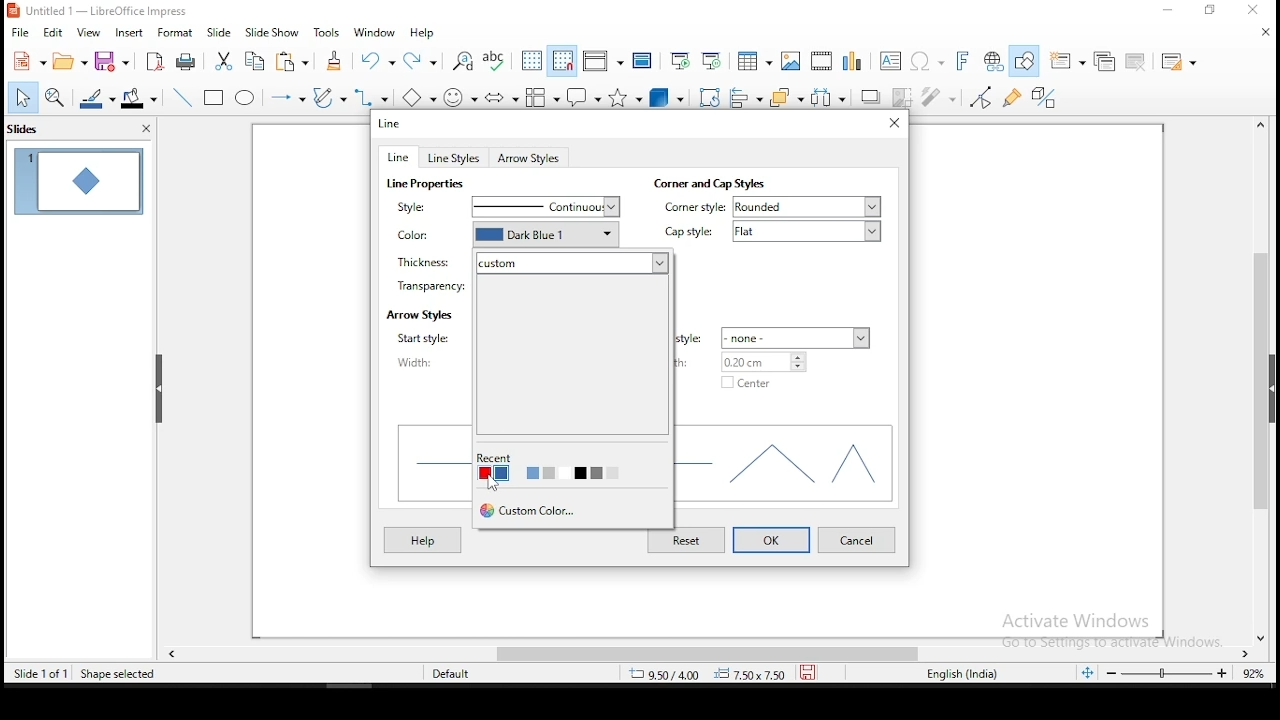  What do you see at coordinates (427, 363) in the screenshot?
I see `width` at bounding box center [427, 363].